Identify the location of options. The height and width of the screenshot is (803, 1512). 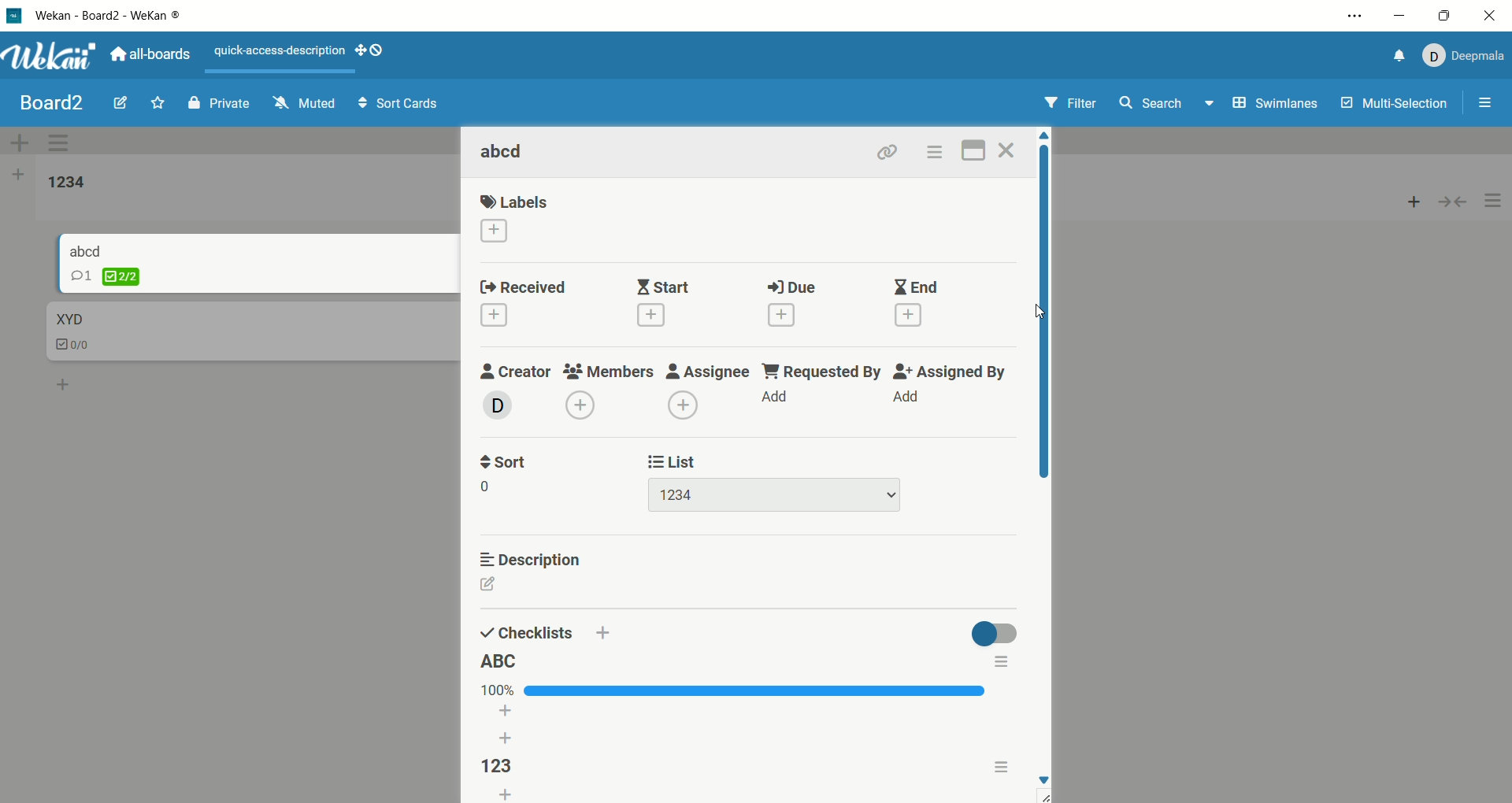
(934, 152).